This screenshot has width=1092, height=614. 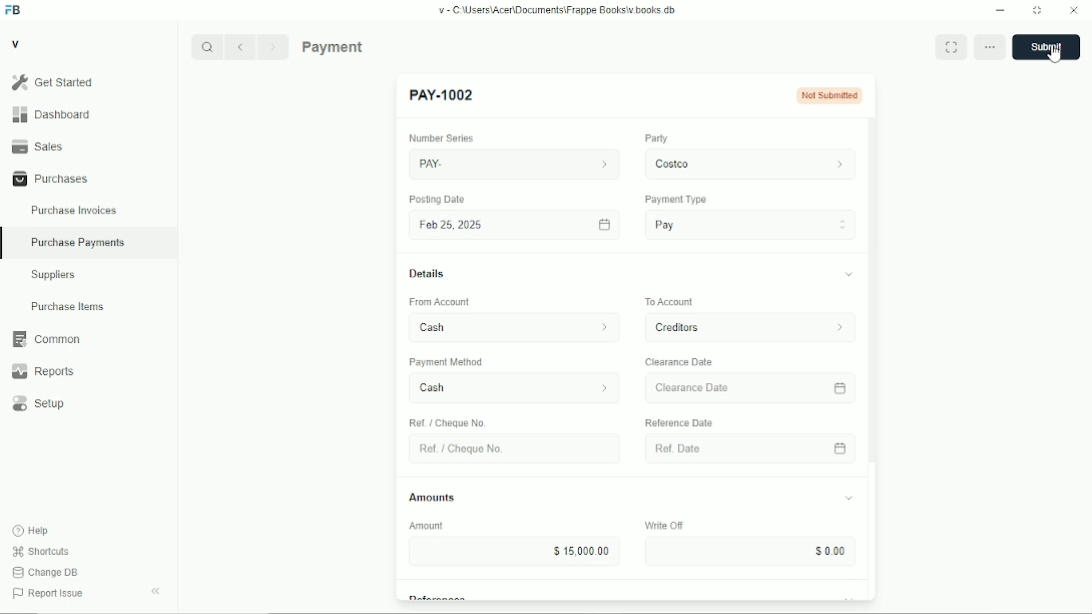 I want to click on Setup, so click(x=89, y=403).